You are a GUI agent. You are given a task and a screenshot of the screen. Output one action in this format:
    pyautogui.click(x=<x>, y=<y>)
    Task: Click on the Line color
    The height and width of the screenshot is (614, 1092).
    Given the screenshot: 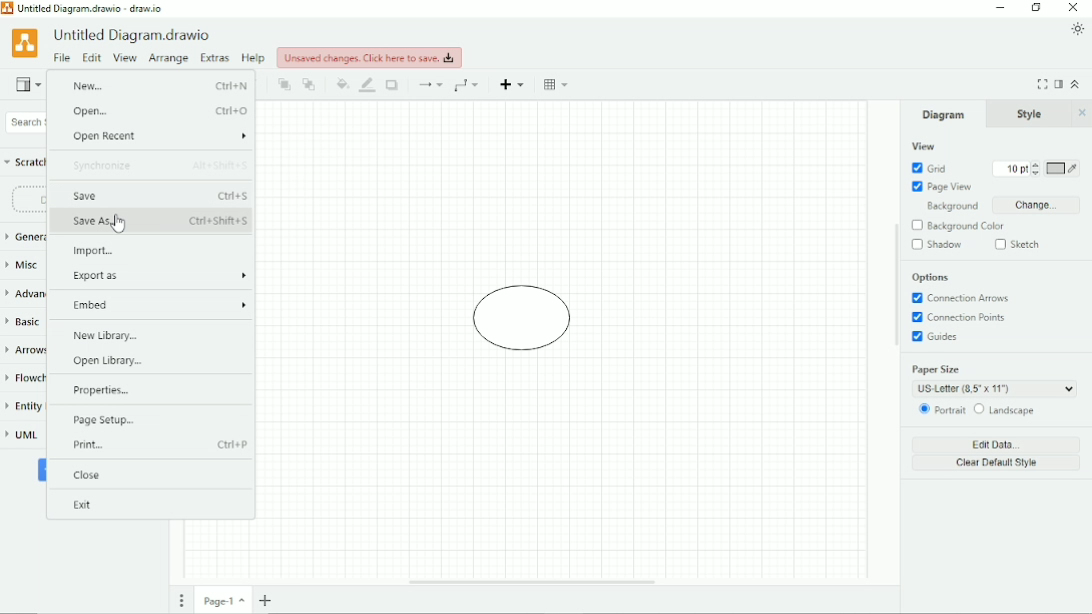 What is the action you would take?
    pyautogui.click(x=367, y=85)
    